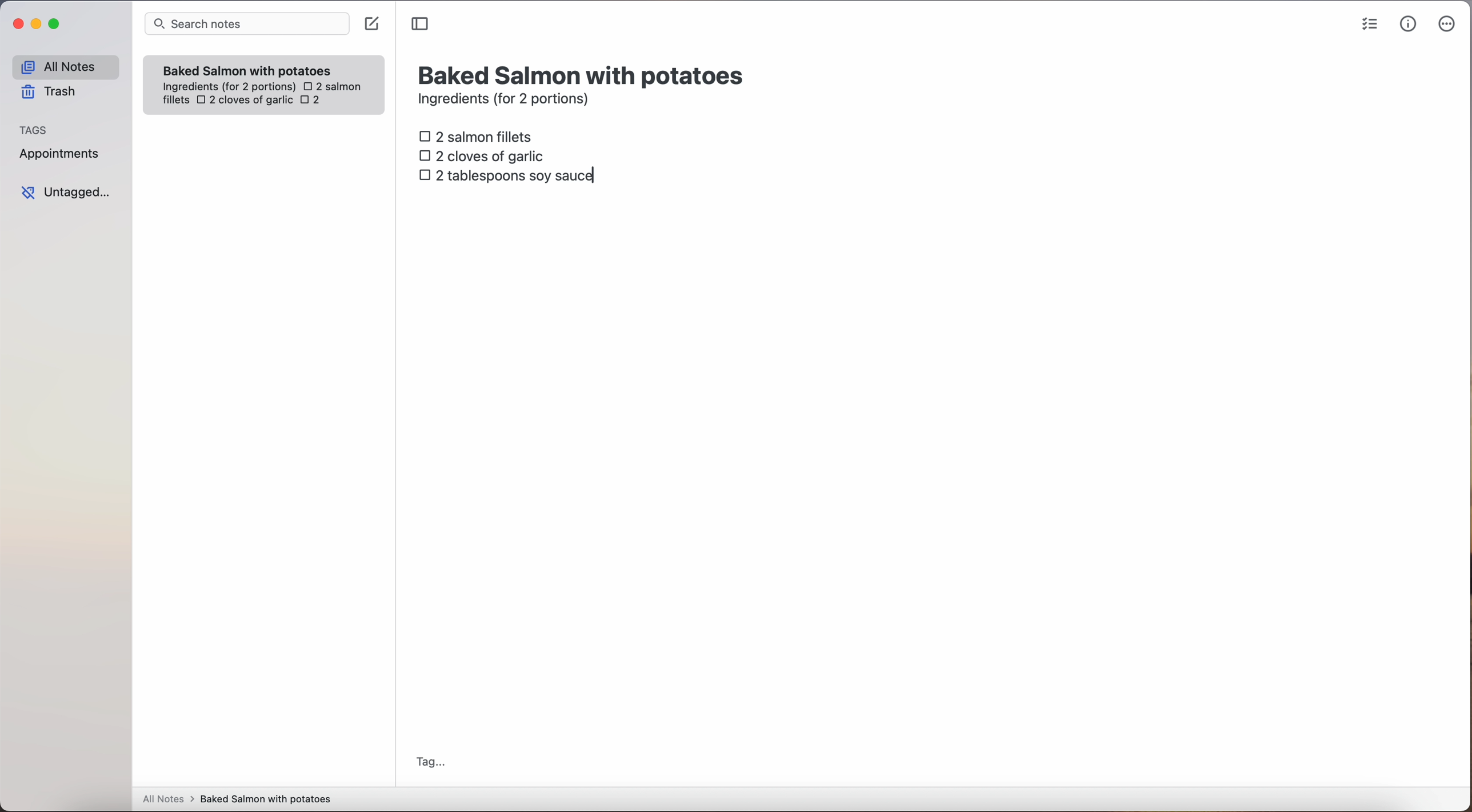  What do you see at coordinates (36, 25) in the screenshot?
I see `minimize Simplenote` at bounding box center [36, 25].